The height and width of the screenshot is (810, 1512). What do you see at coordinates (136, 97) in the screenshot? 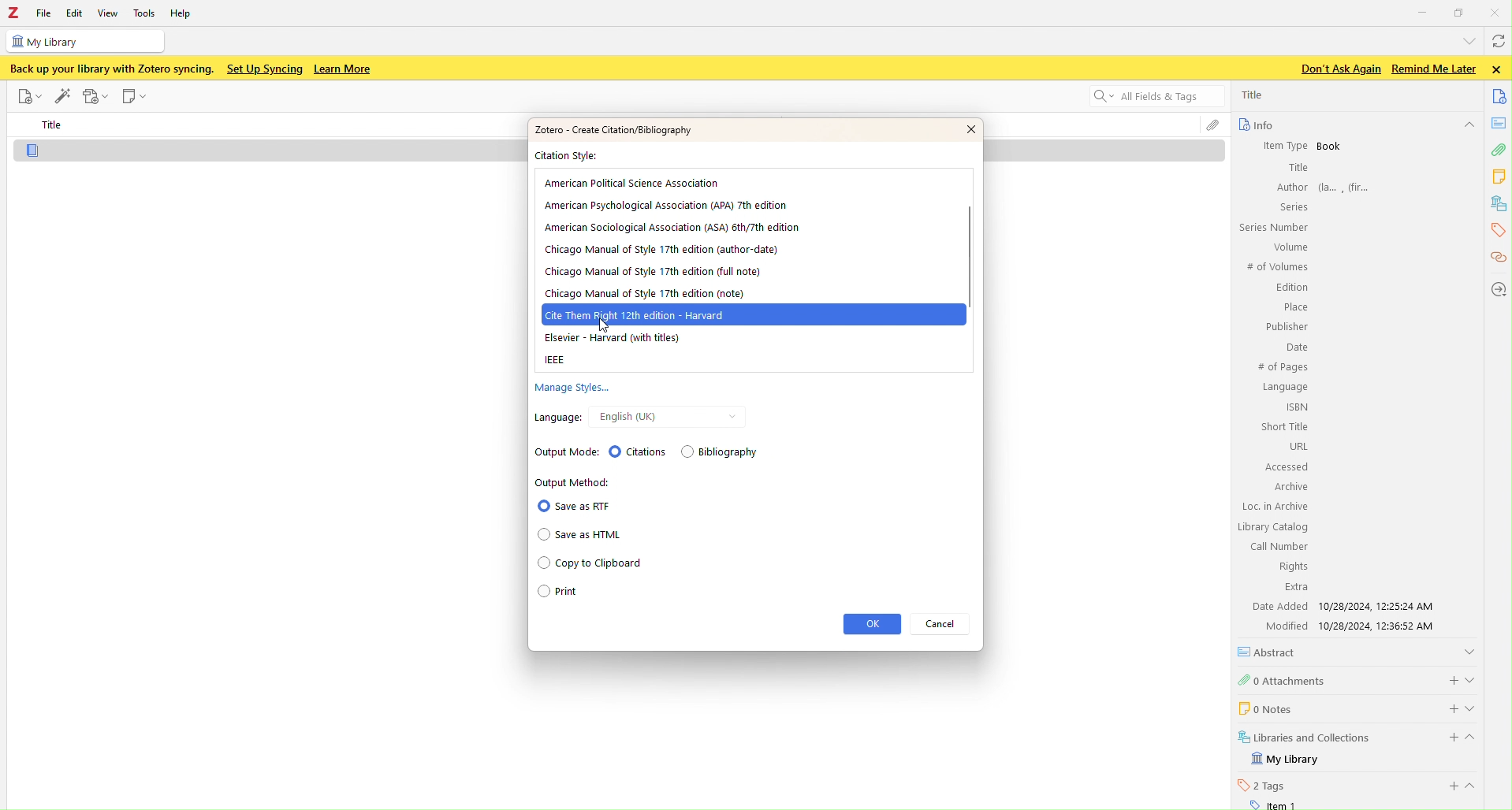
I see `Note` at bounding box center [136, 97].